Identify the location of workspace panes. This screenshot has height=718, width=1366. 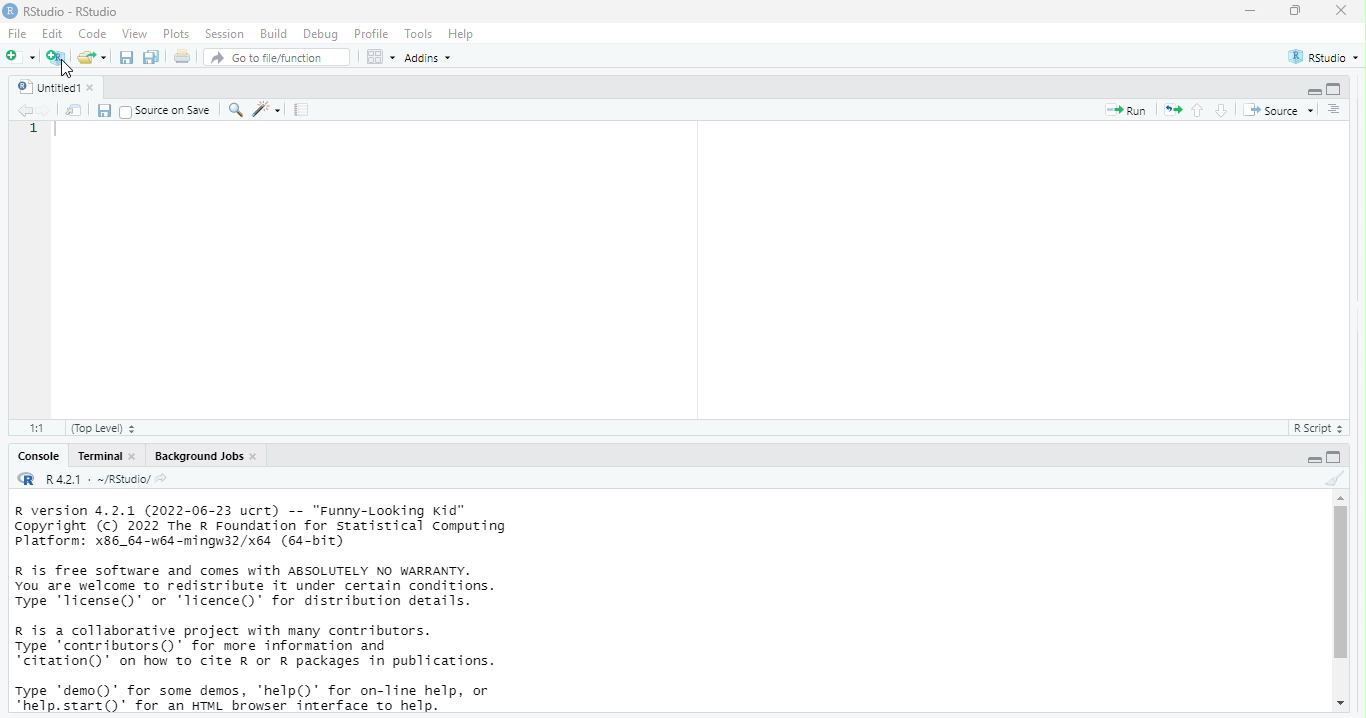
(379, 56).